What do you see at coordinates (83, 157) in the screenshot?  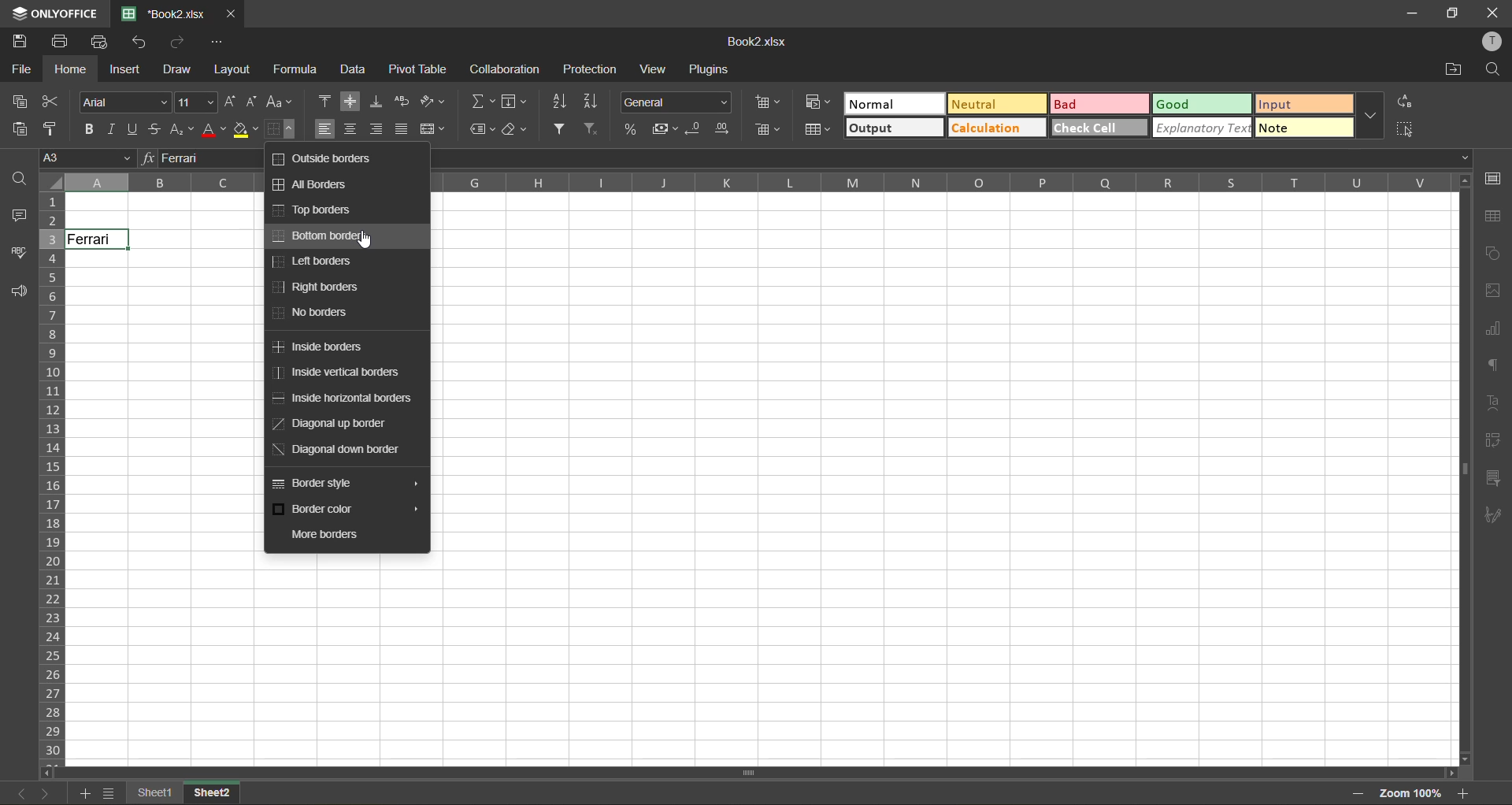 I see `cell address` at bounding box center [83, 157].